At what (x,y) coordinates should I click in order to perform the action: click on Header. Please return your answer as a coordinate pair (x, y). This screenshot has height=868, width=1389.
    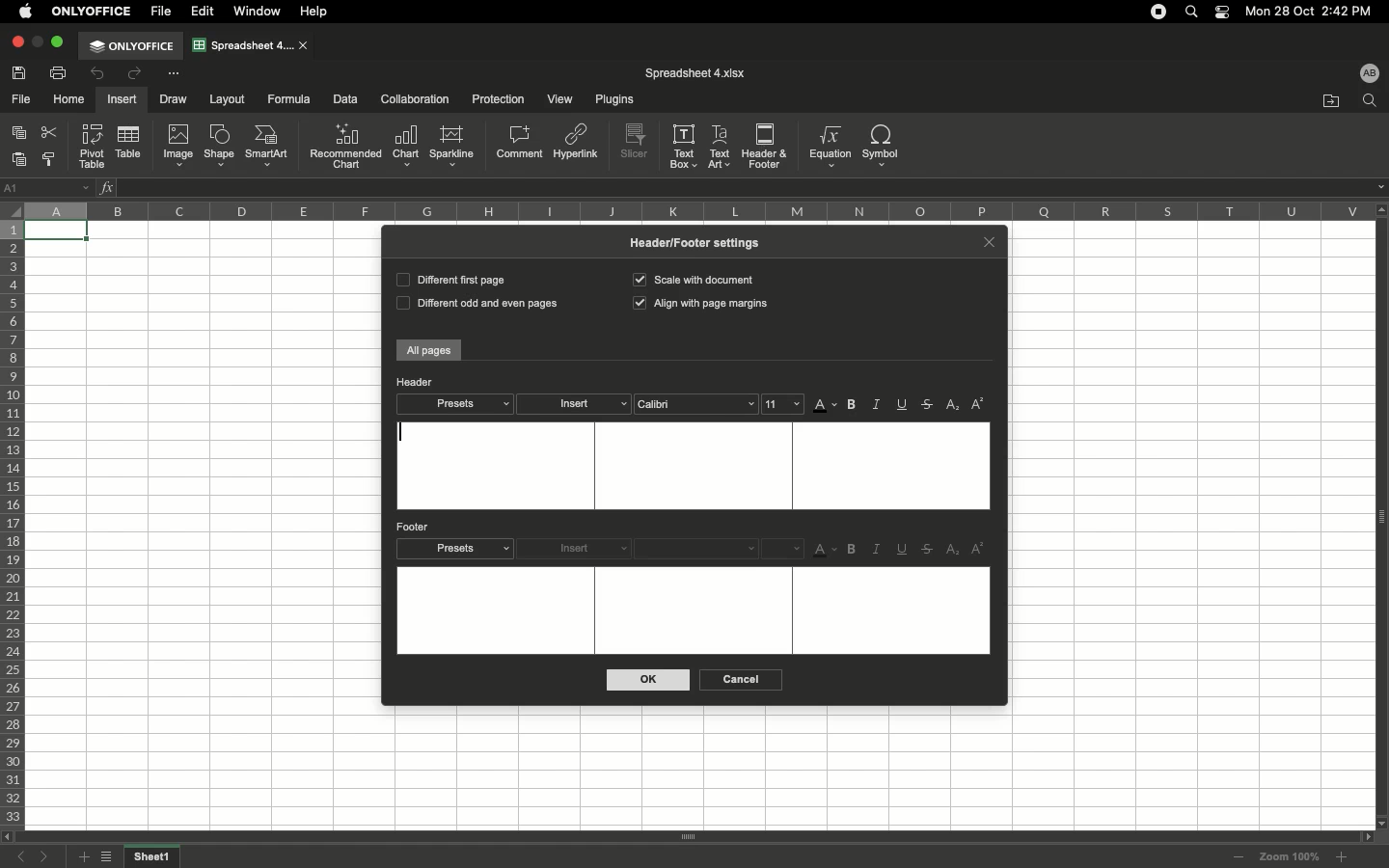
    Looking at the image, I should click on (415, 382).